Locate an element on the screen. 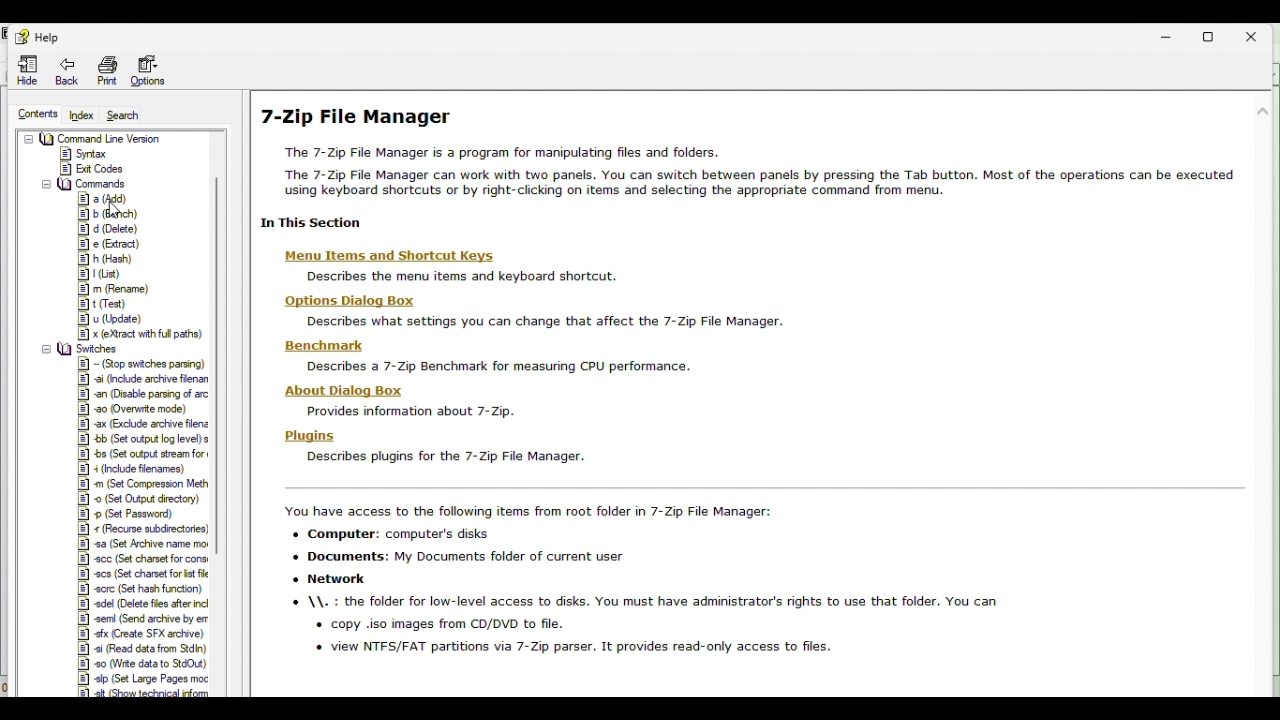 The height and width of the screenshot is (720, 1280). t is located at coordinates (116, 303).